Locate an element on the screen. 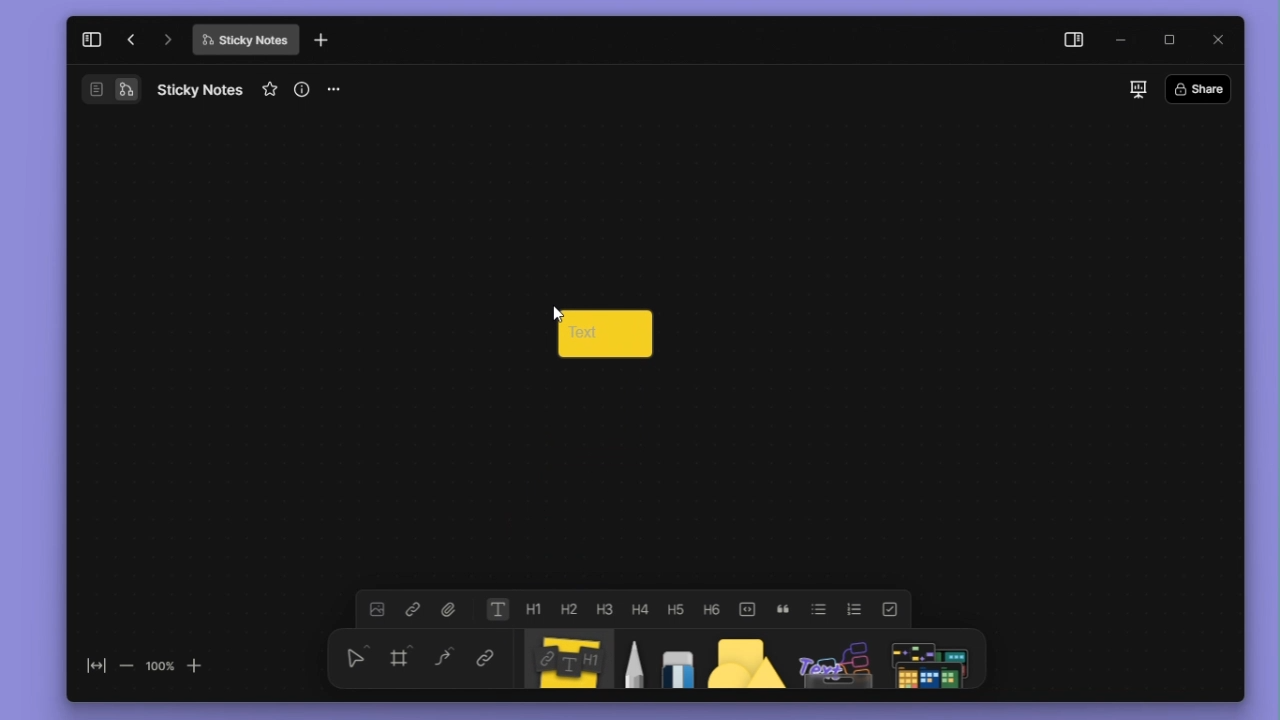  go back is located at coordinates (128, 45).